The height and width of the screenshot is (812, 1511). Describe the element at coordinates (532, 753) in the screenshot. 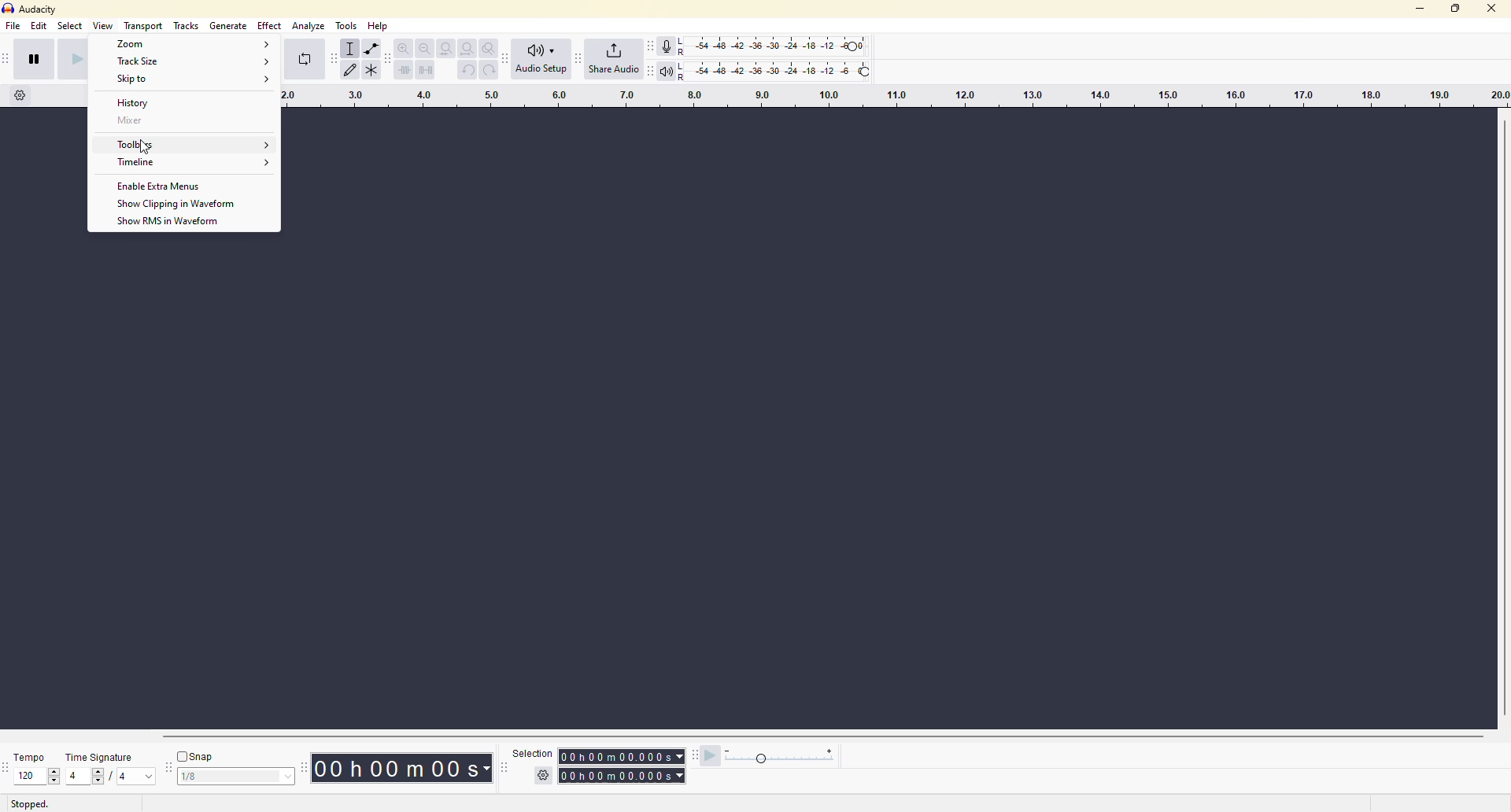

I see `selection` at that location.